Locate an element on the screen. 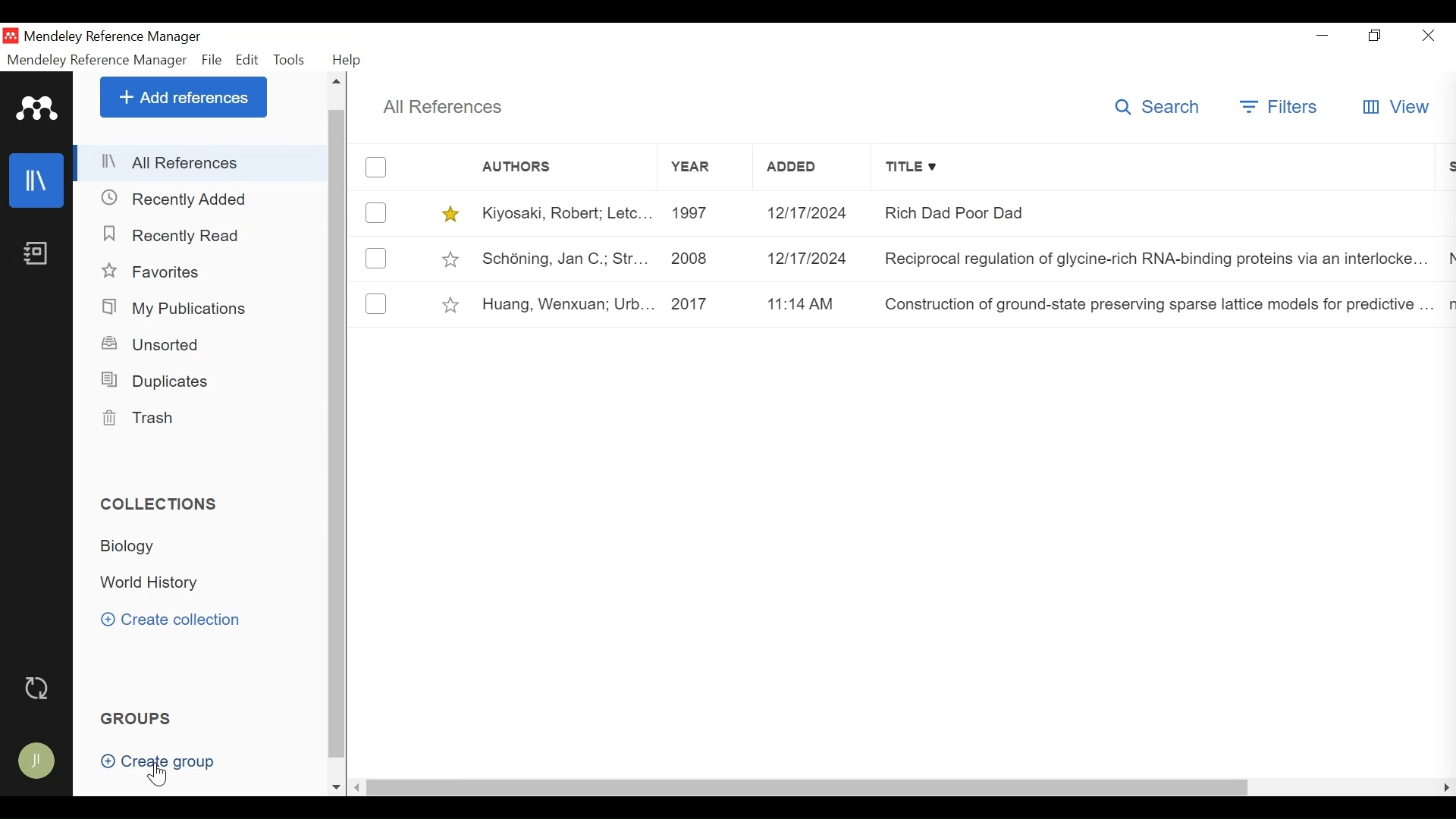  (un)select is located at coordinates (375, 259).